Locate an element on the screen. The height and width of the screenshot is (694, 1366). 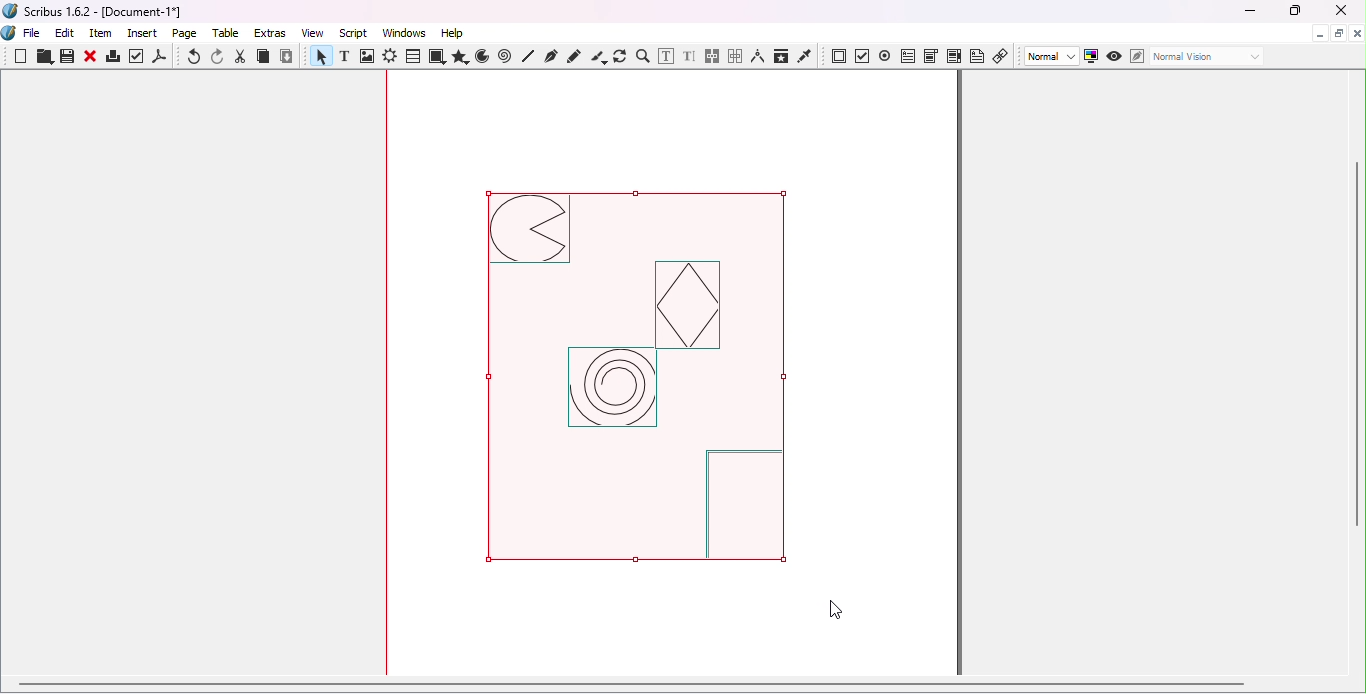
Undo is located at coordinates (195, 58).